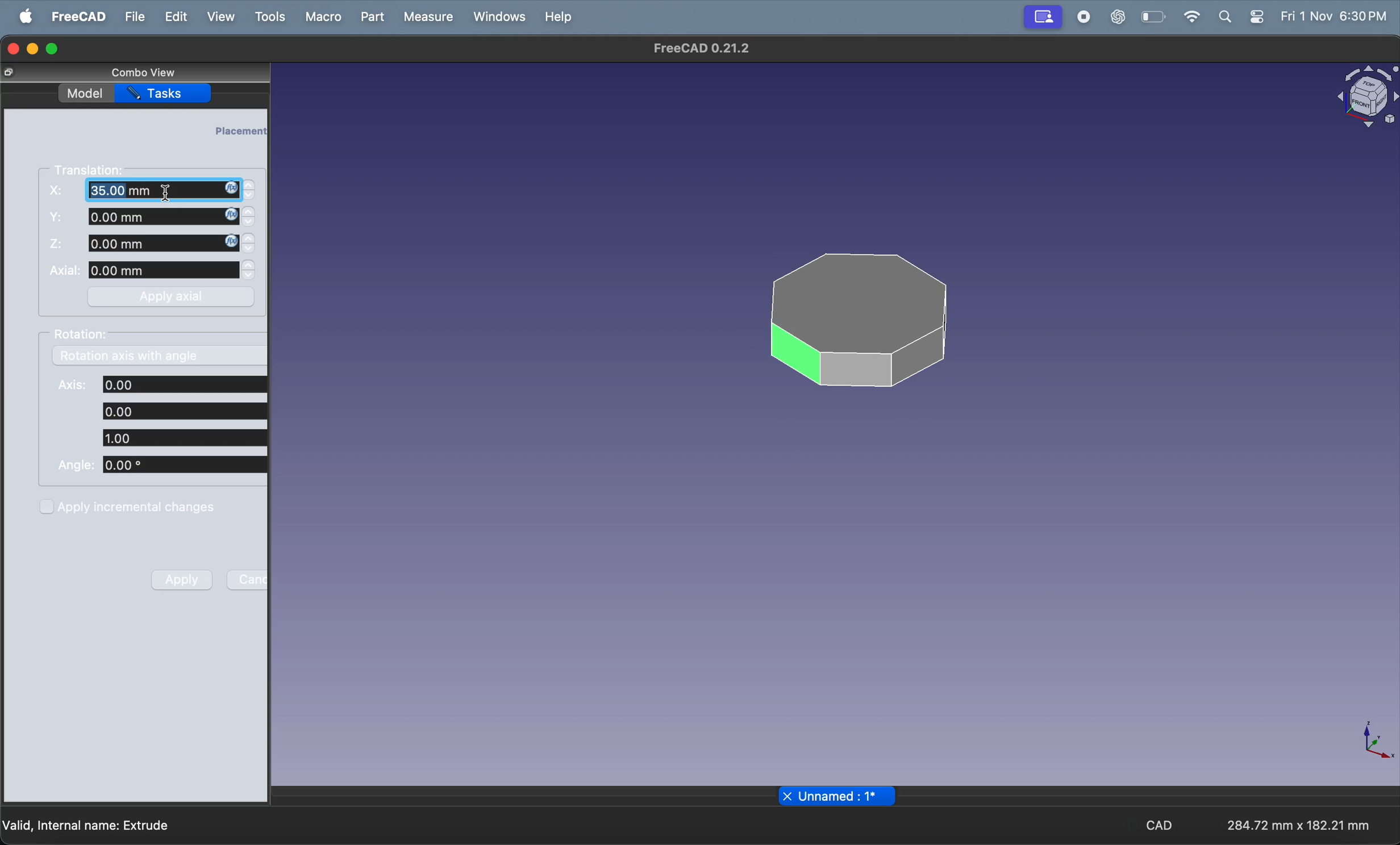  What do you see at coordinates (174, 296) in the screenshot?
I see `Apply axial` at bounding box center [174, 296].